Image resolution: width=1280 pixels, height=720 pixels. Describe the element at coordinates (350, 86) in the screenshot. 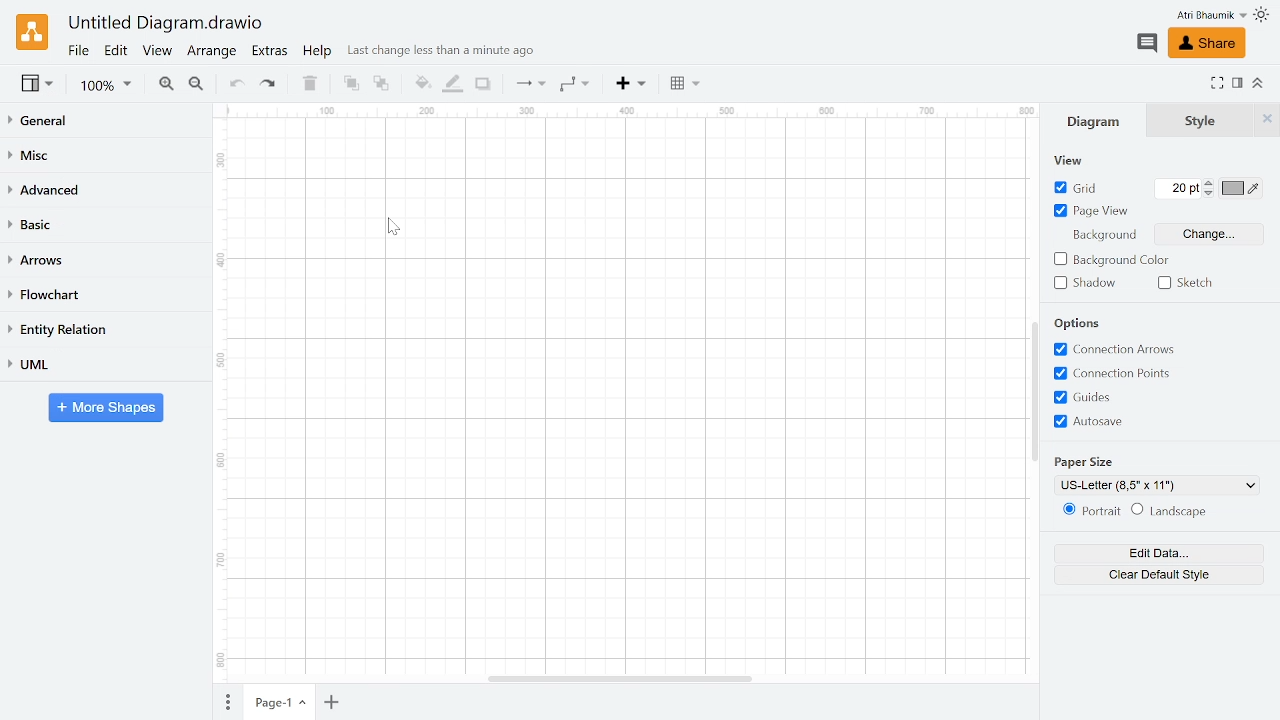

I see `To front` at that location.